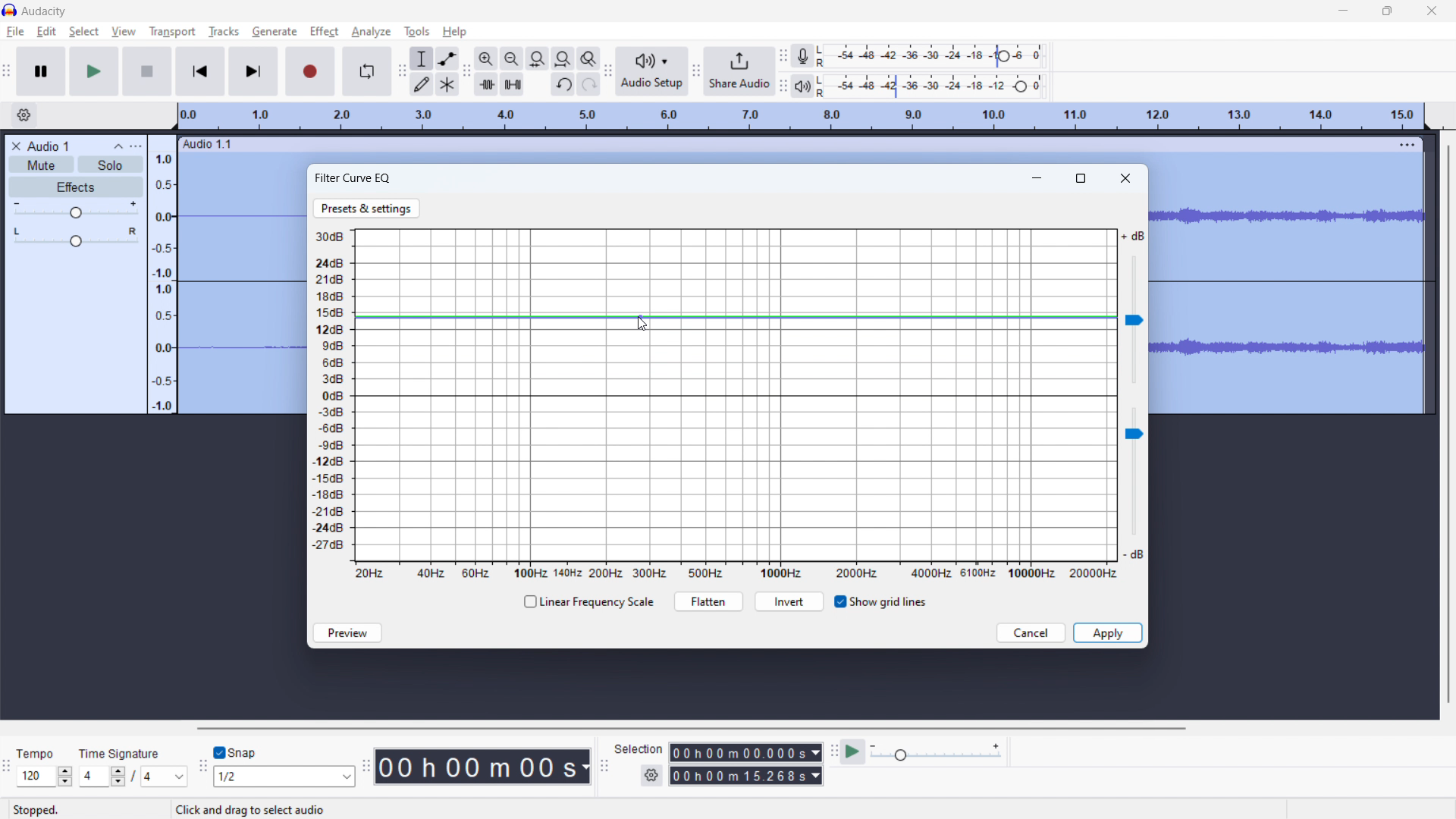  I want to click on snapping toolbar, so click(202, 765).